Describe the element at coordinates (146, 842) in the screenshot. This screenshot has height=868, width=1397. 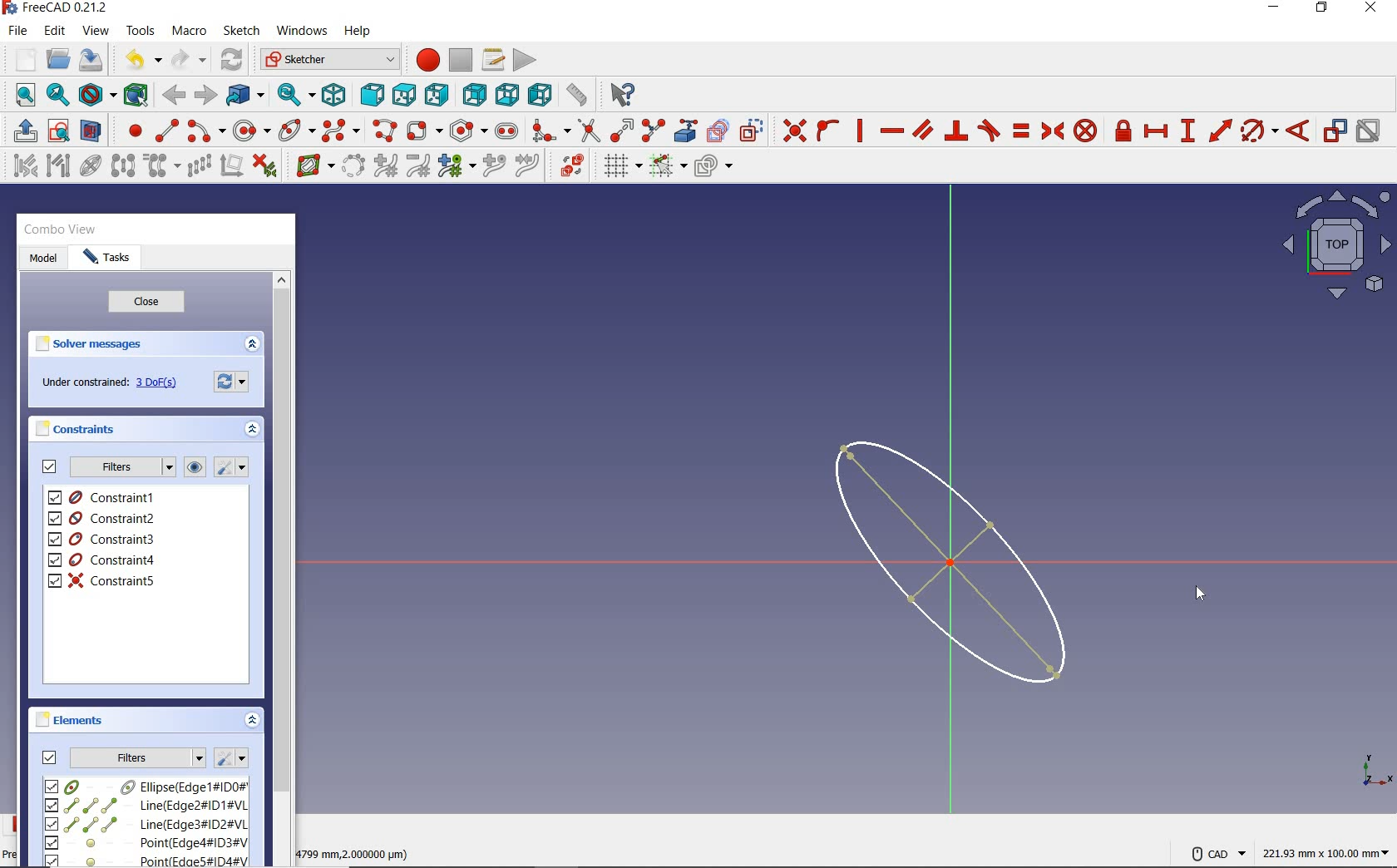
I see `element4` at that location.